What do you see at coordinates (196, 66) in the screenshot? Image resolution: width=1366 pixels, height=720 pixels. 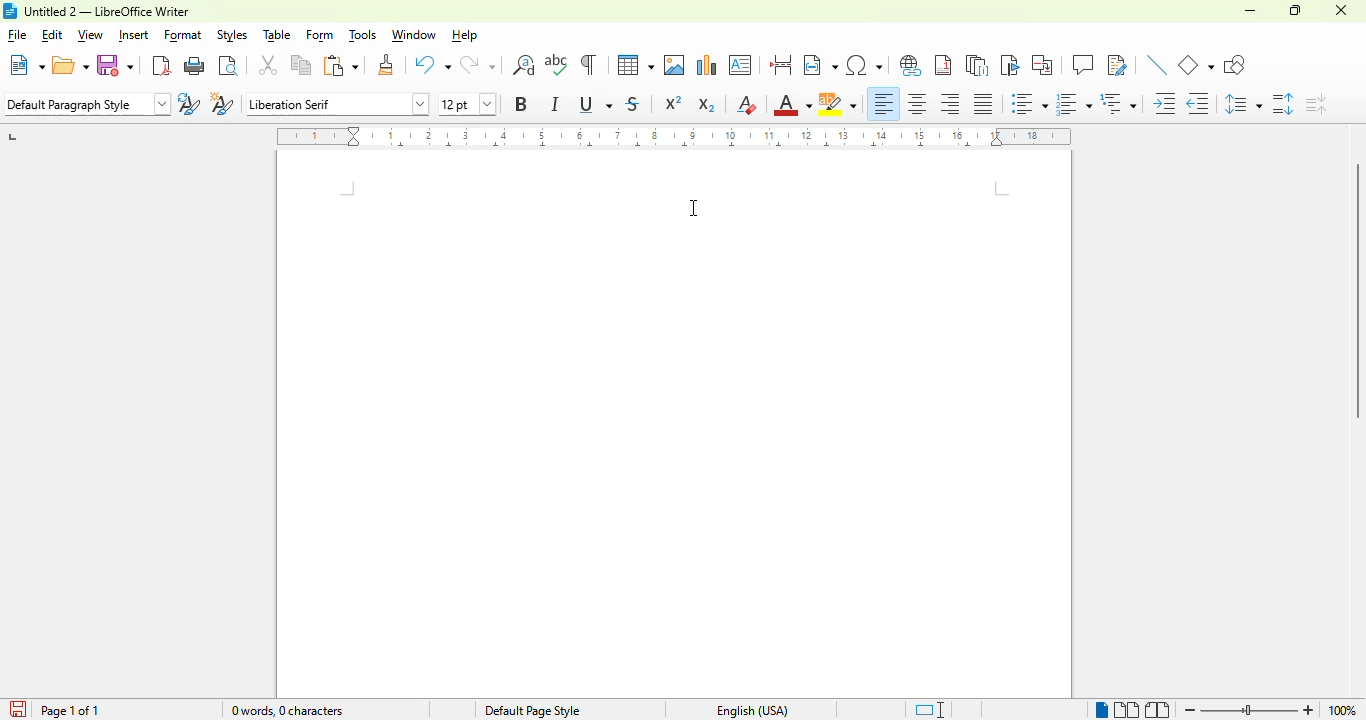 I see `print` at bounding box center [196, 66].